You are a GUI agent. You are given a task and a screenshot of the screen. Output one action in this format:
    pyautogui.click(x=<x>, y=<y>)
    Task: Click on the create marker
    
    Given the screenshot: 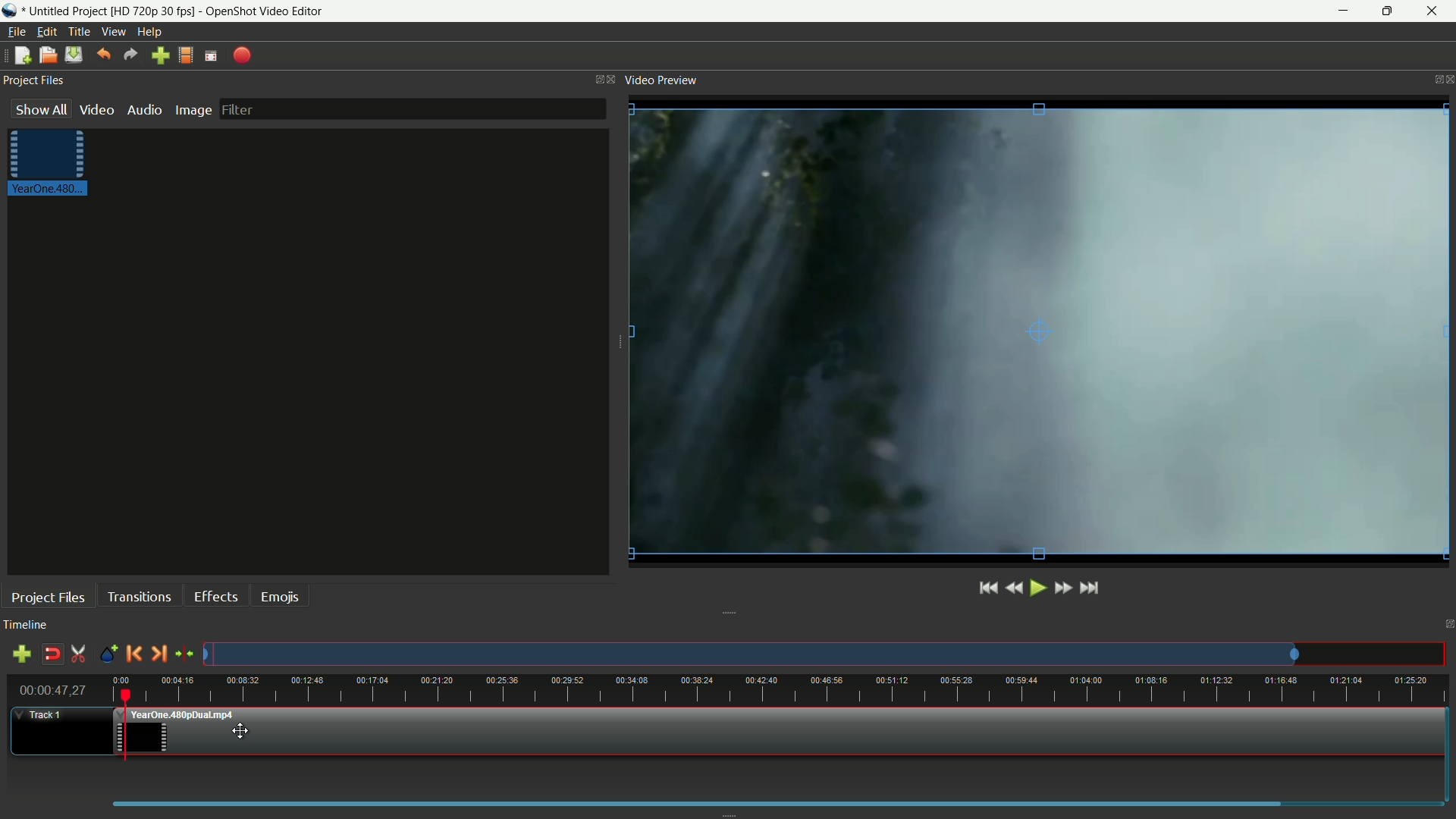 What is the action you would take?
    pyautogui.click(x=110, y=657)
    